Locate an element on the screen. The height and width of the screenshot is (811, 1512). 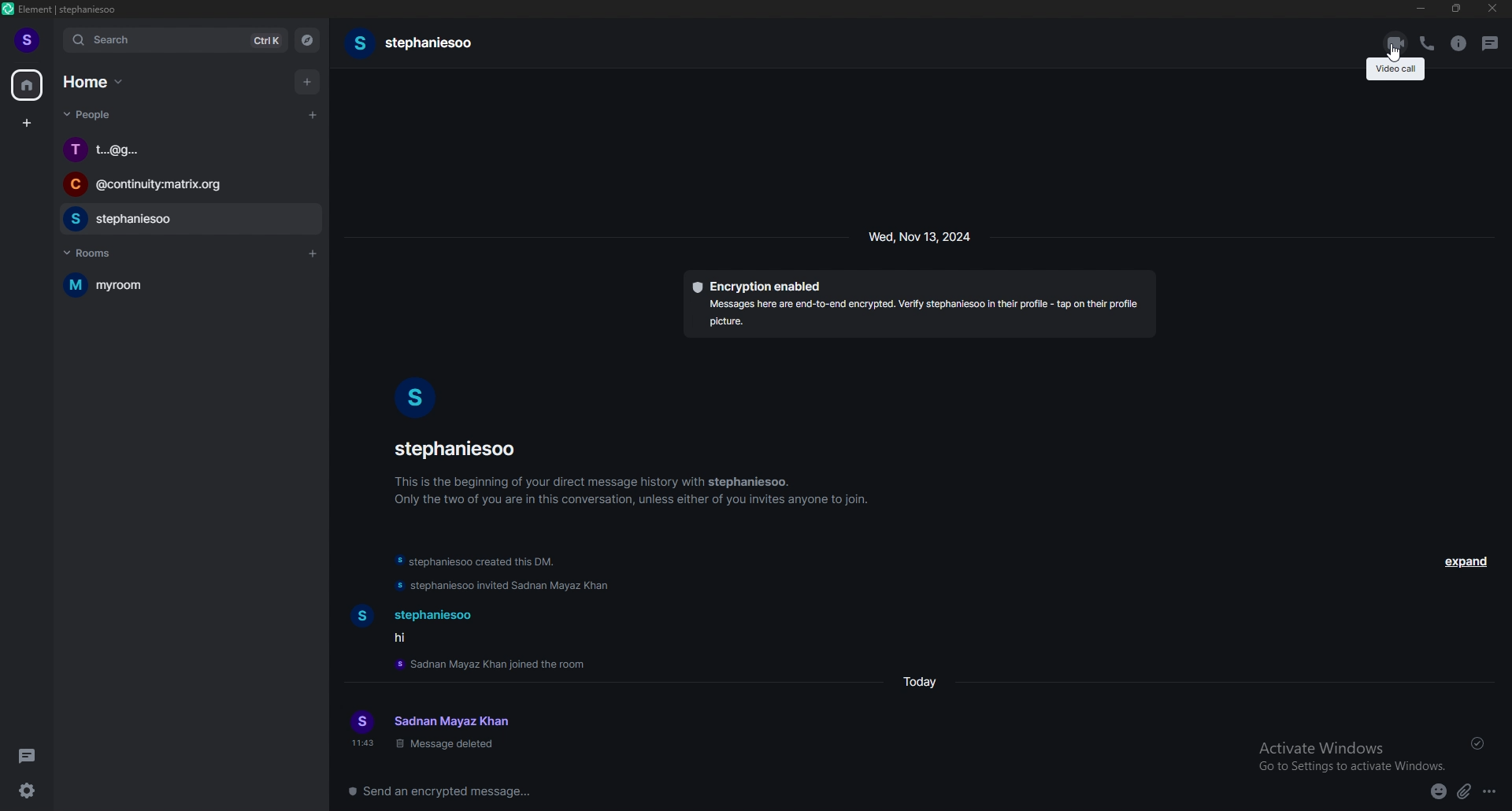
room info is located at coordinates (1458, 43).